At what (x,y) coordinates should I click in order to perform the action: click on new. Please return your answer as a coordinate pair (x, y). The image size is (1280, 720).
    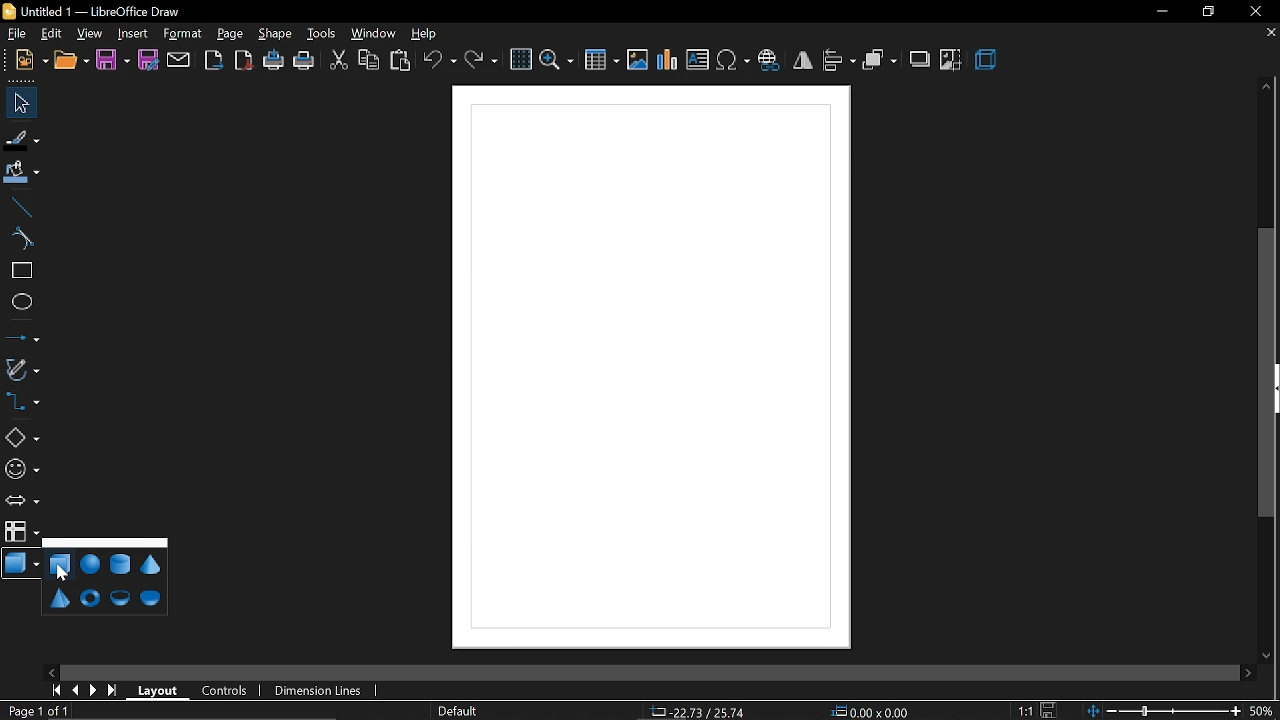
    Looking at the image, I should click on (33, 61).